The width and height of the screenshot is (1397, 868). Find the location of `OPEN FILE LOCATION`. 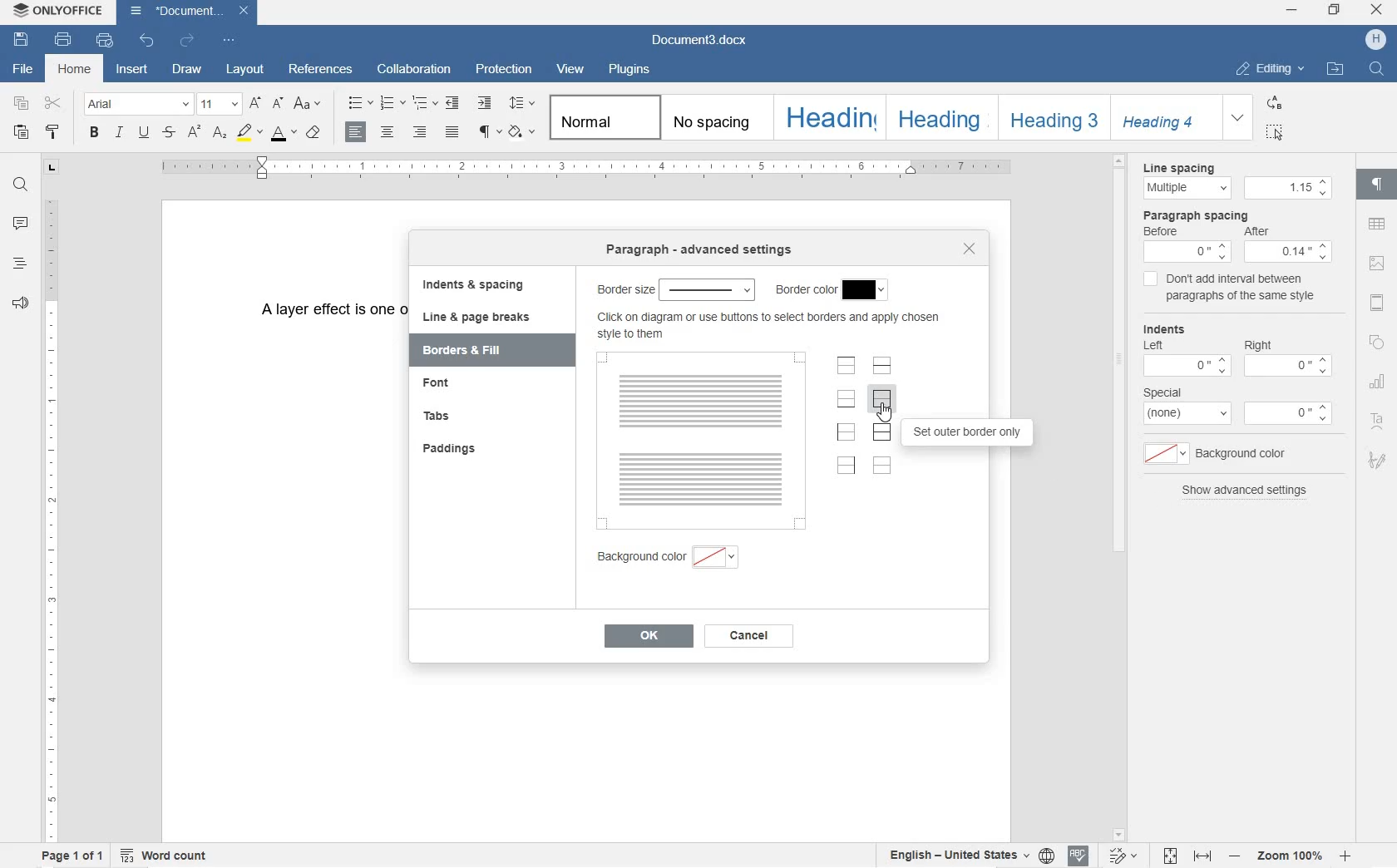

OPEN FILE LOCATION is located at coordinates (1335, 70).